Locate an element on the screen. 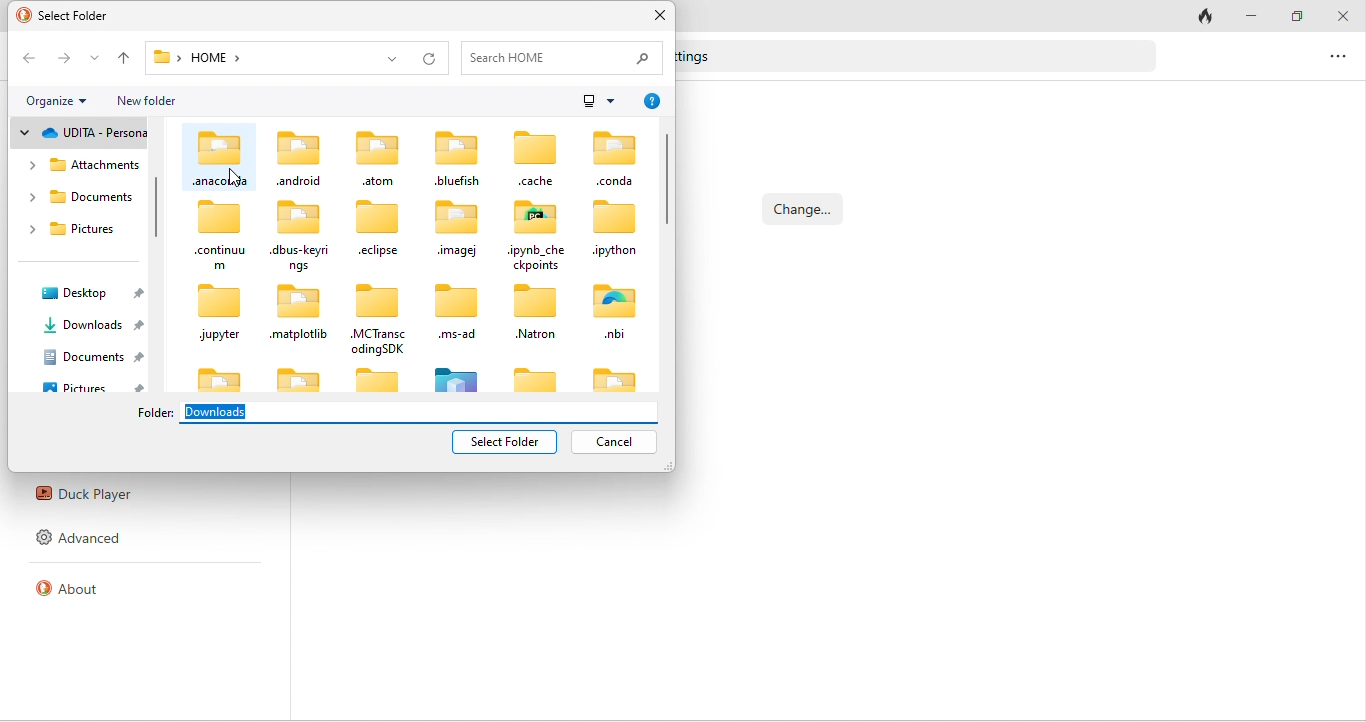  .ipython is located at coordinates (617, 229).